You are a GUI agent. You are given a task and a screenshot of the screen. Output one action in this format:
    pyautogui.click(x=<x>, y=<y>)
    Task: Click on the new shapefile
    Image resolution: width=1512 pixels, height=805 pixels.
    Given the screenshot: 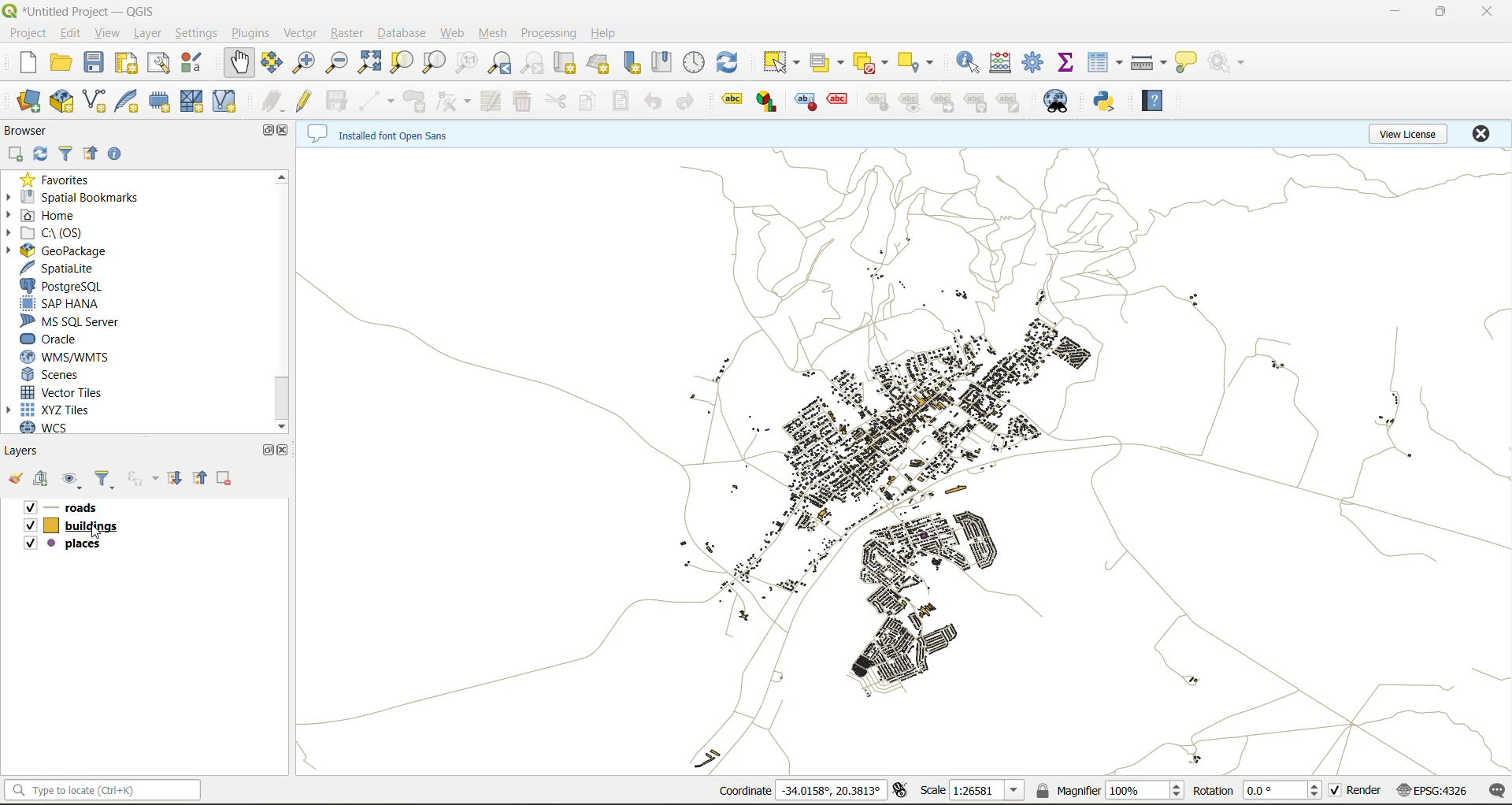 What is the action you would take?
    pyautogui.click(x=95, y=100)
    